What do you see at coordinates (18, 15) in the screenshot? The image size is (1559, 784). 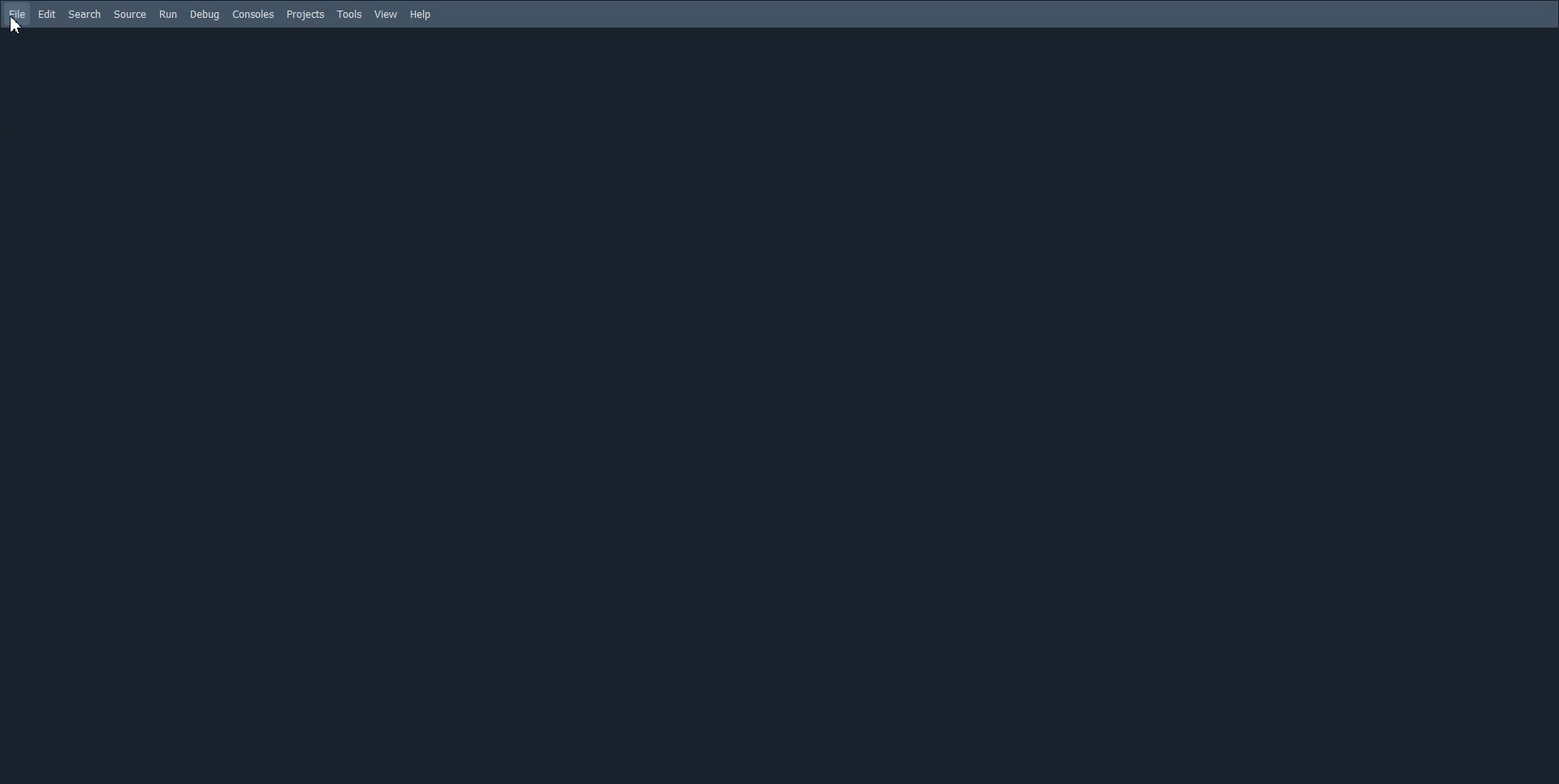 I see `File` at bounding box center [18, 15].